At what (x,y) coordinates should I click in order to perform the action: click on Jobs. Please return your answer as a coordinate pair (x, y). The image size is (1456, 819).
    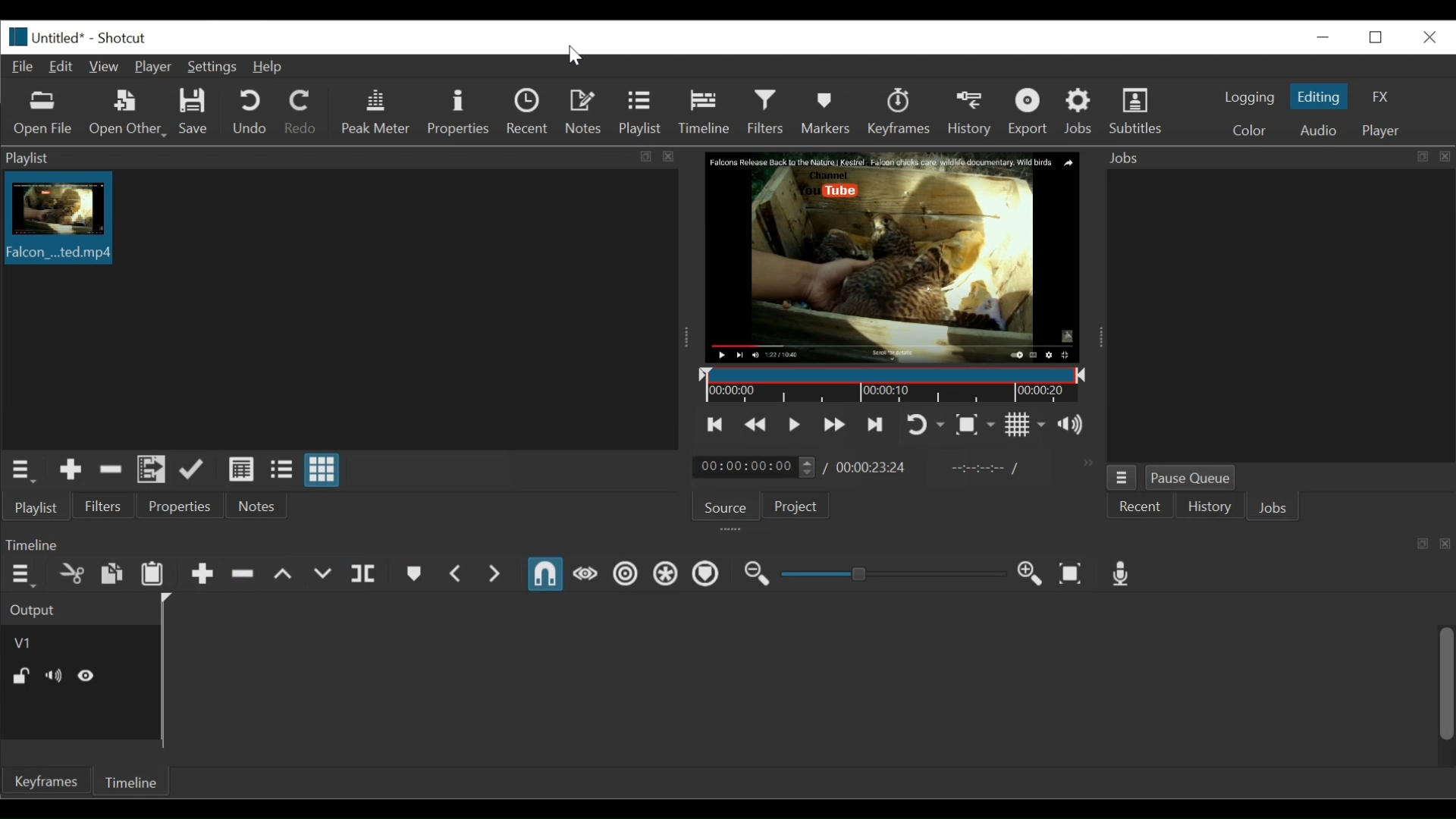
    Looking at the image, I should click on (1281, 507).